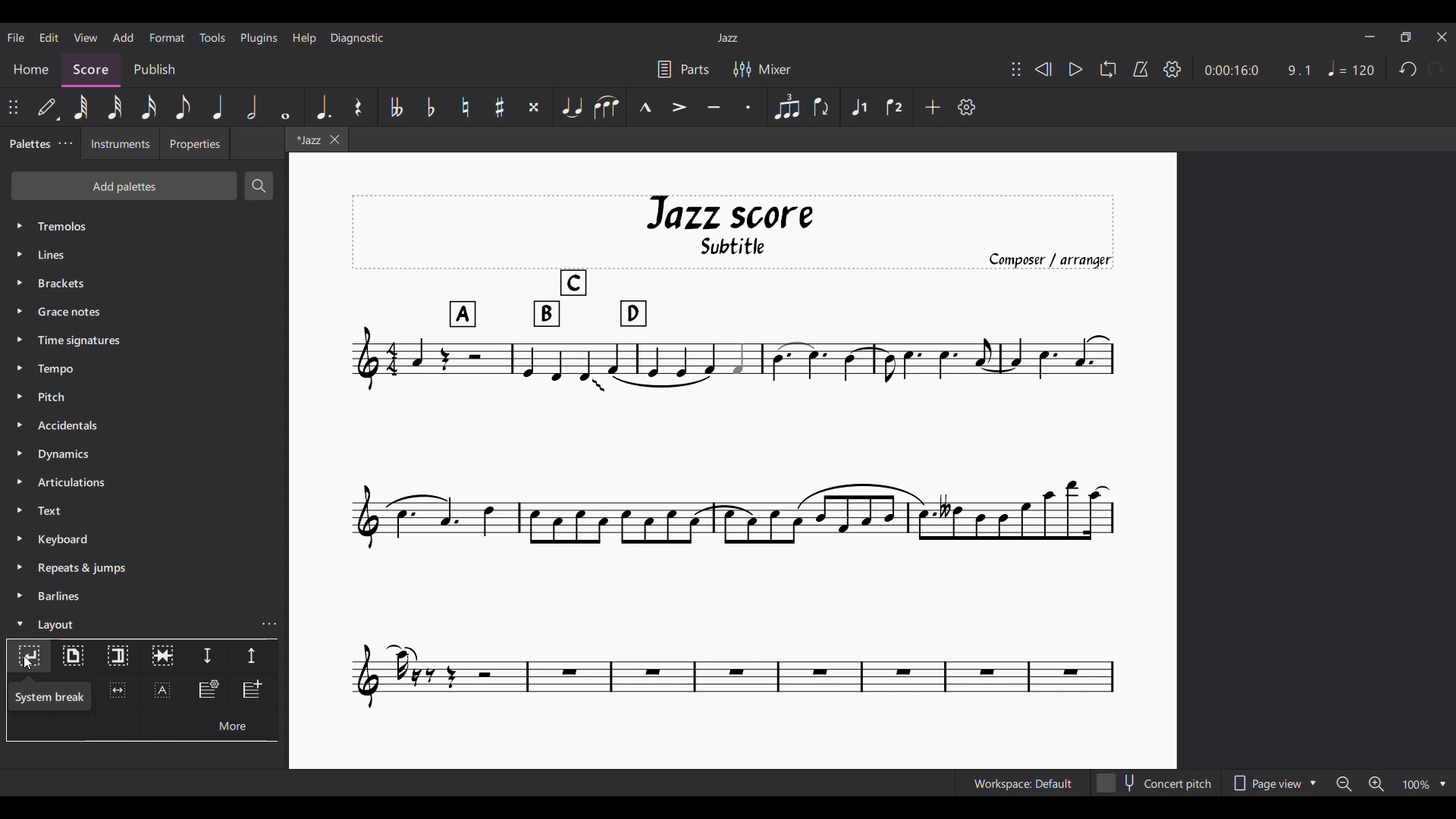 This screenshot has width=1456, height=819. I want to click on Voice 2, so click(894, 107).